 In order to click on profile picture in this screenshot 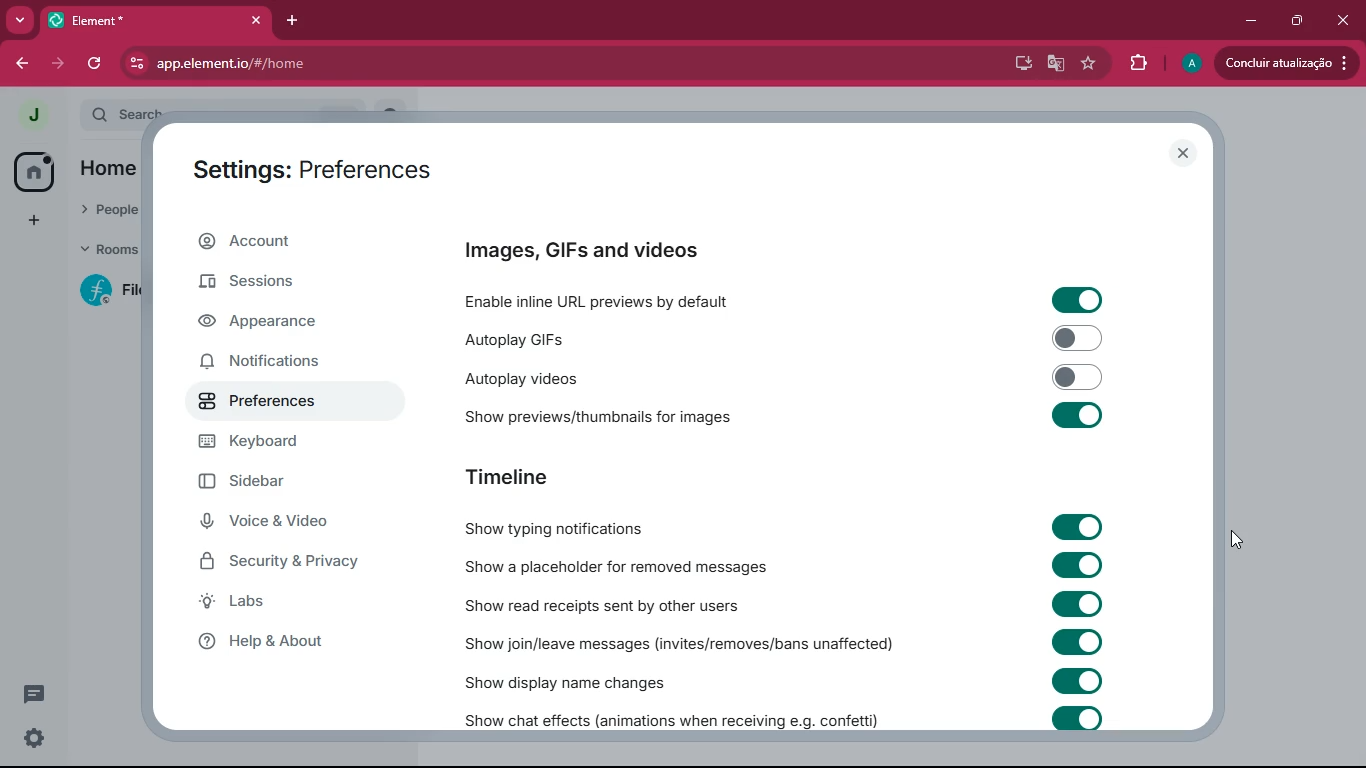, I will do `click(32, 116)`.